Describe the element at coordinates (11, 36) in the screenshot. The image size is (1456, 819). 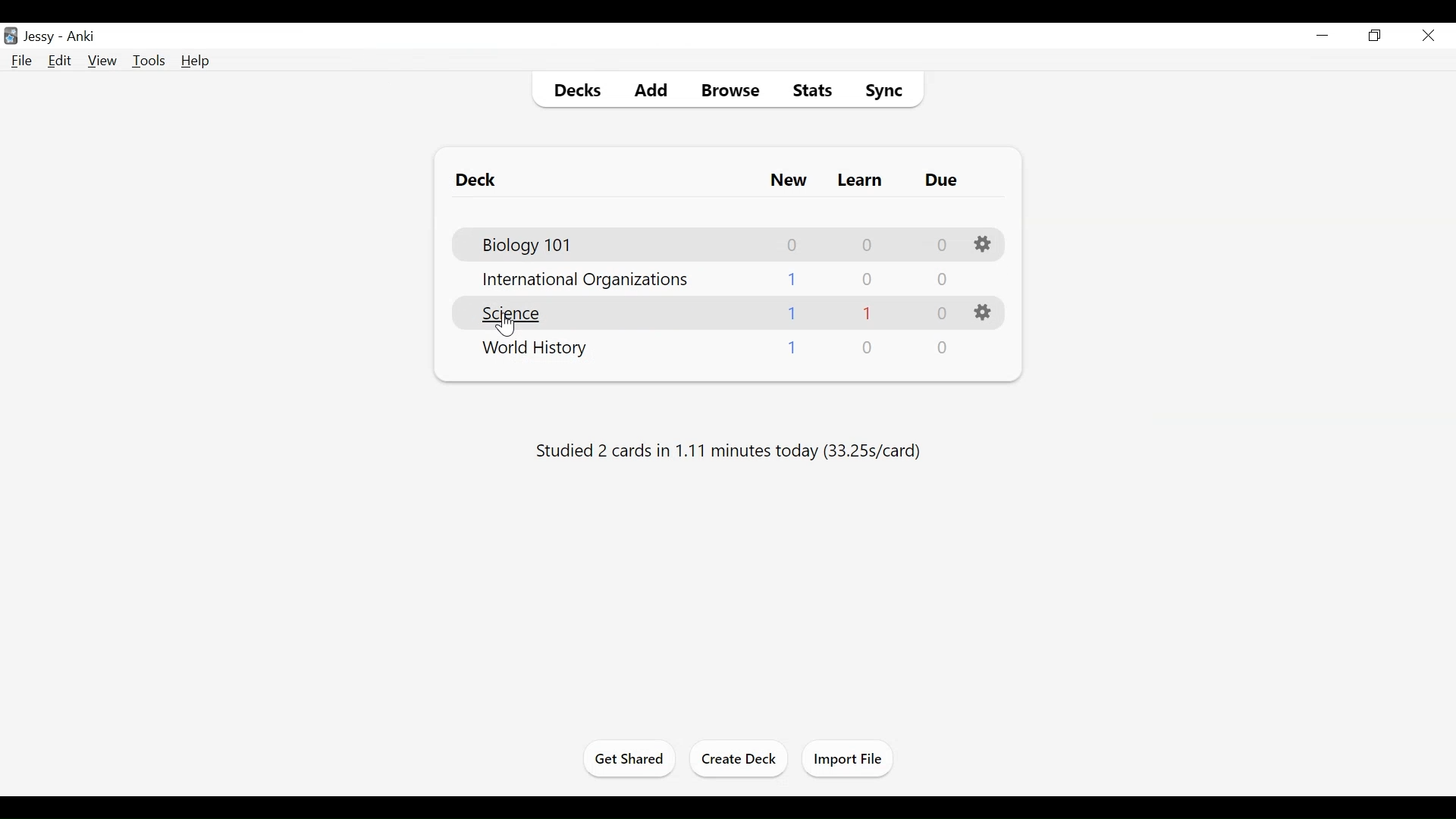
I see `Anki Desktop Icon` at that location.